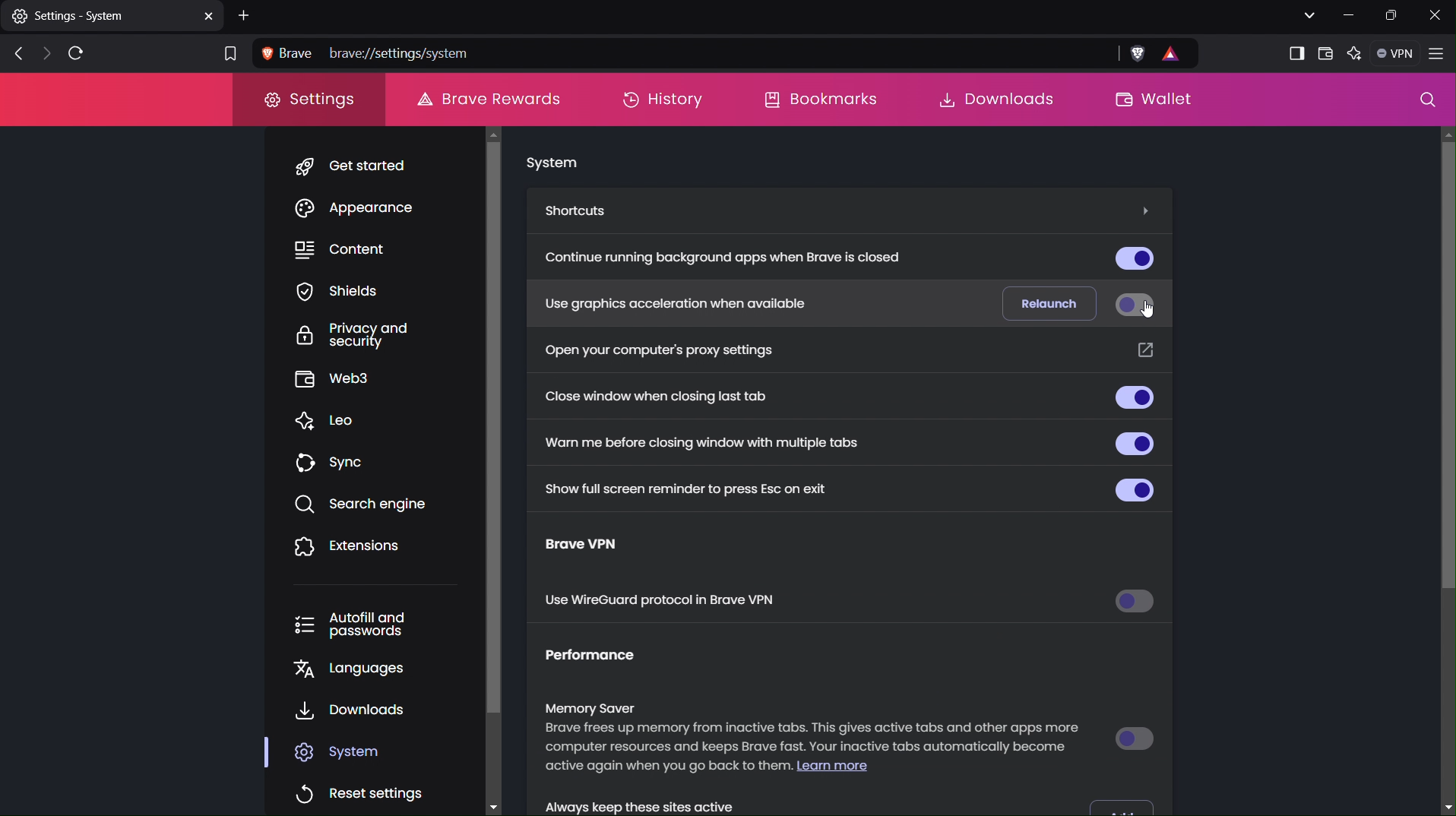 This screenshot has width=1456, height=816. I want to click on Reset settings, so click(363, 789).